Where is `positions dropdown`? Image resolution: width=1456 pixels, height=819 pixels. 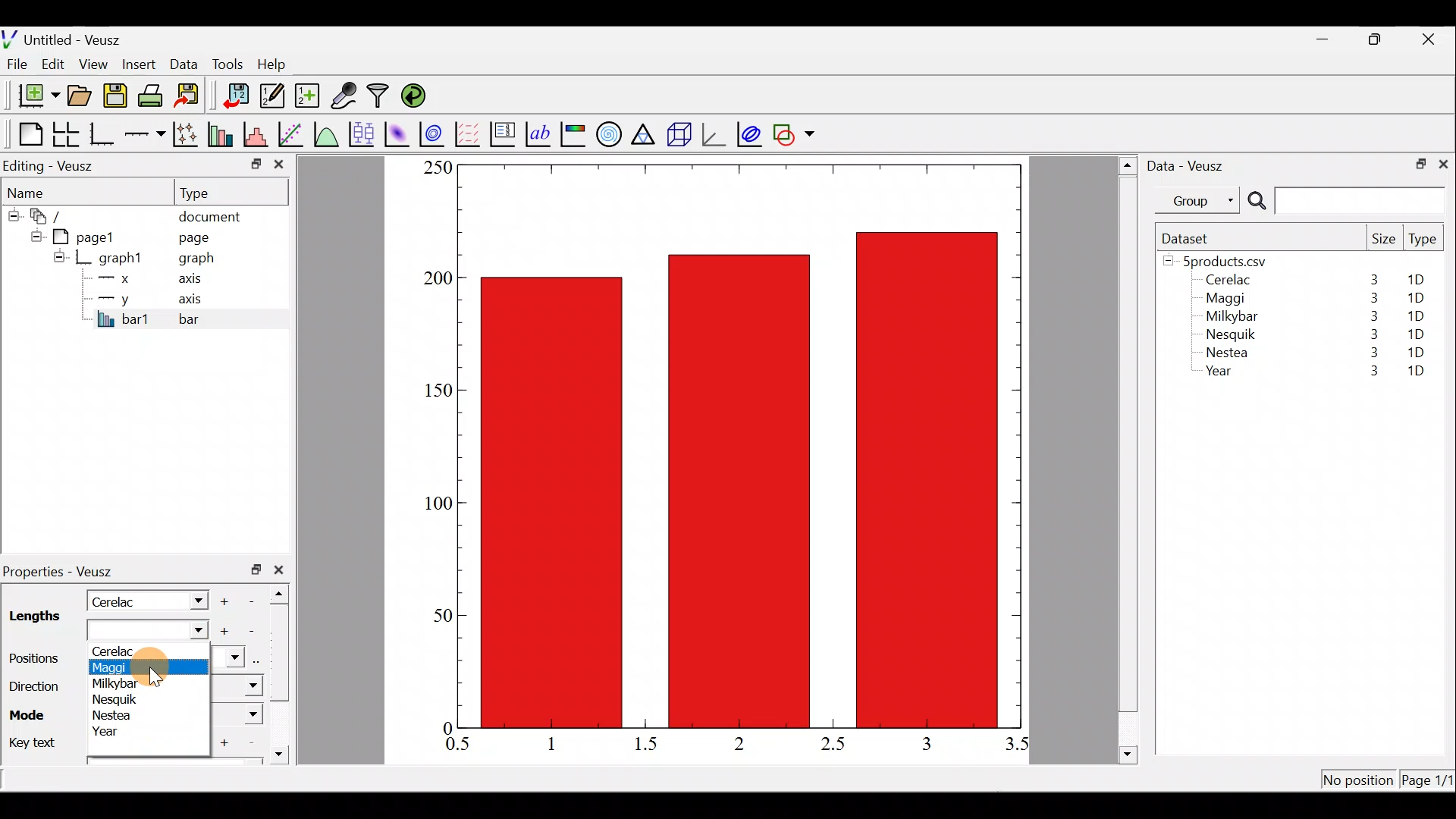
positions dropdown is located at coordinates (228, 659).